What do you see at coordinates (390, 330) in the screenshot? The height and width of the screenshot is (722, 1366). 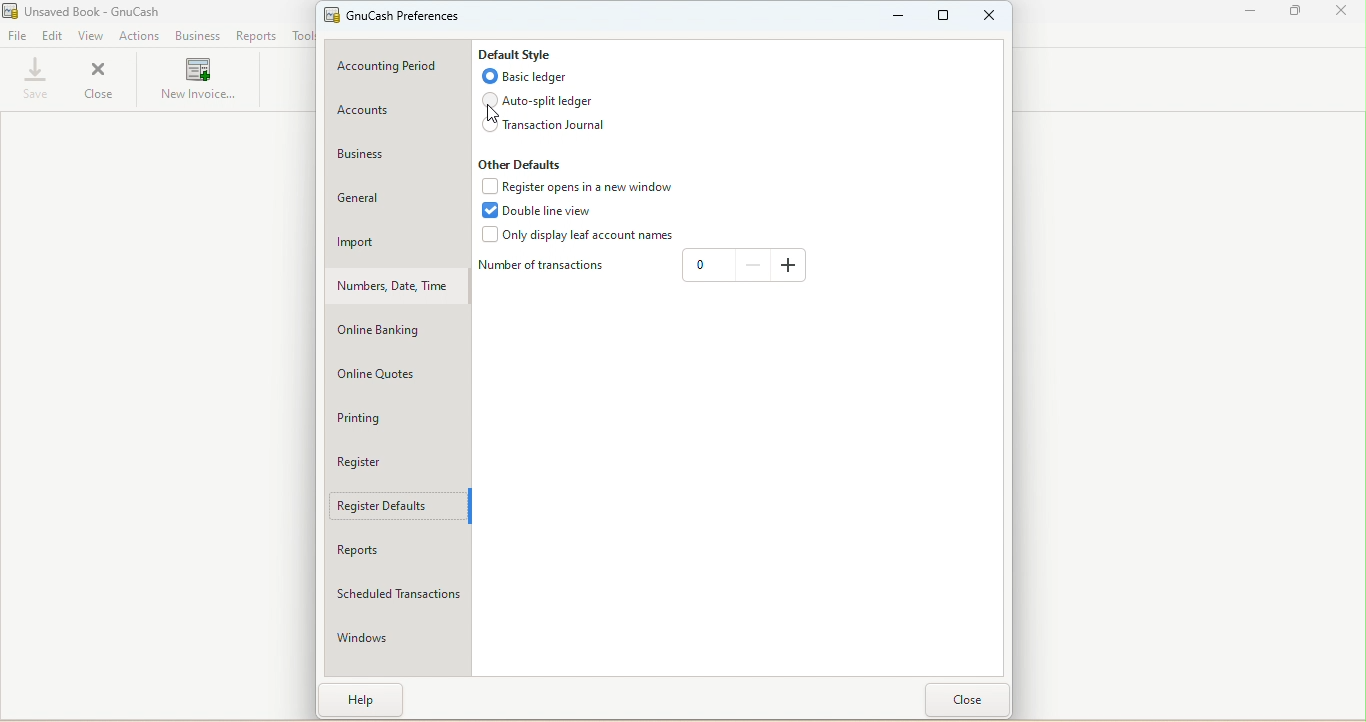 I see `Online banking` at bounding box center [390, 330].